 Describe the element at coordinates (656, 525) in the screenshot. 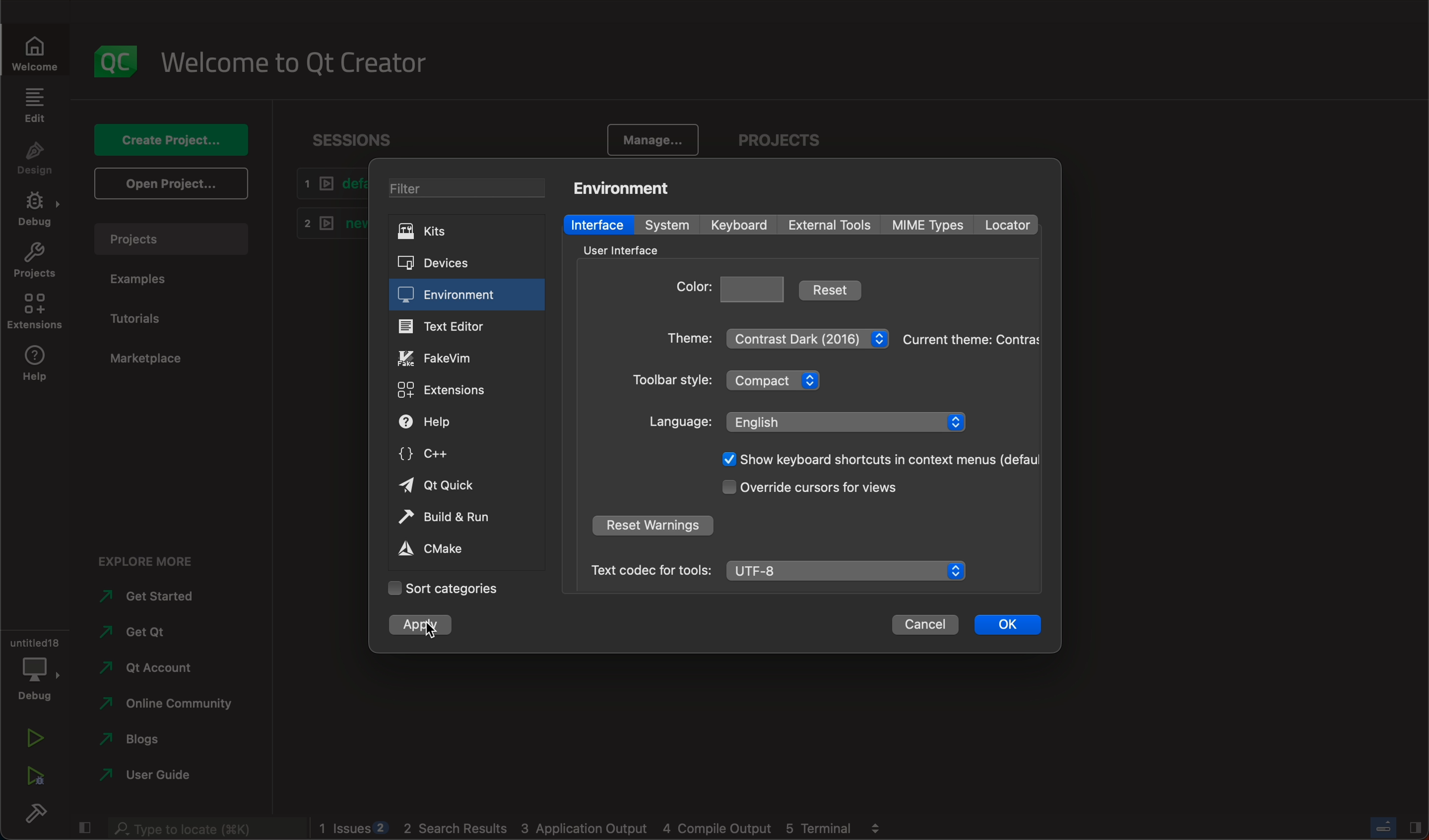

I see `reset warnings` at that location.